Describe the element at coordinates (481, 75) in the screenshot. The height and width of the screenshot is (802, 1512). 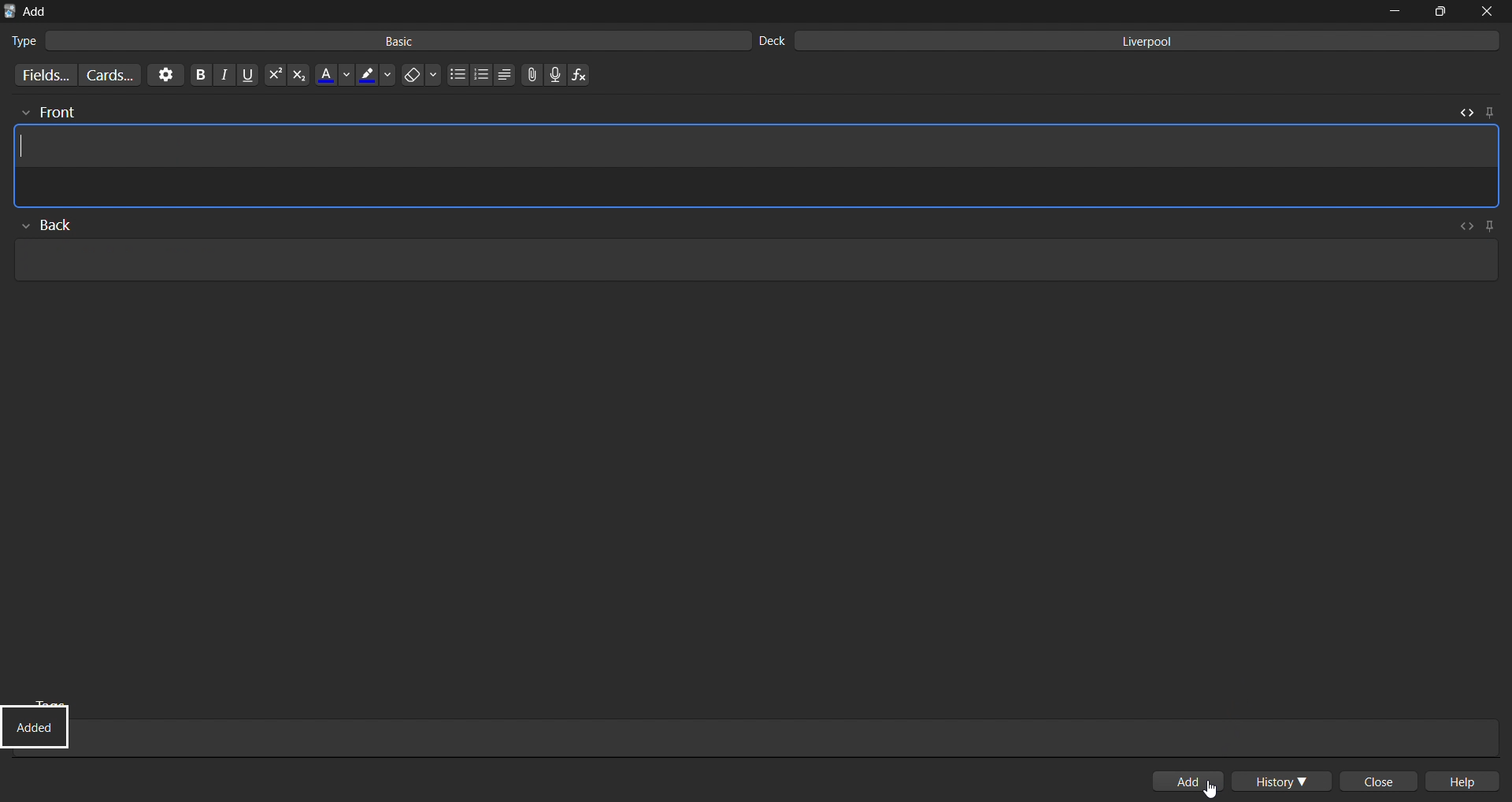
I see `ordered list` at that location.